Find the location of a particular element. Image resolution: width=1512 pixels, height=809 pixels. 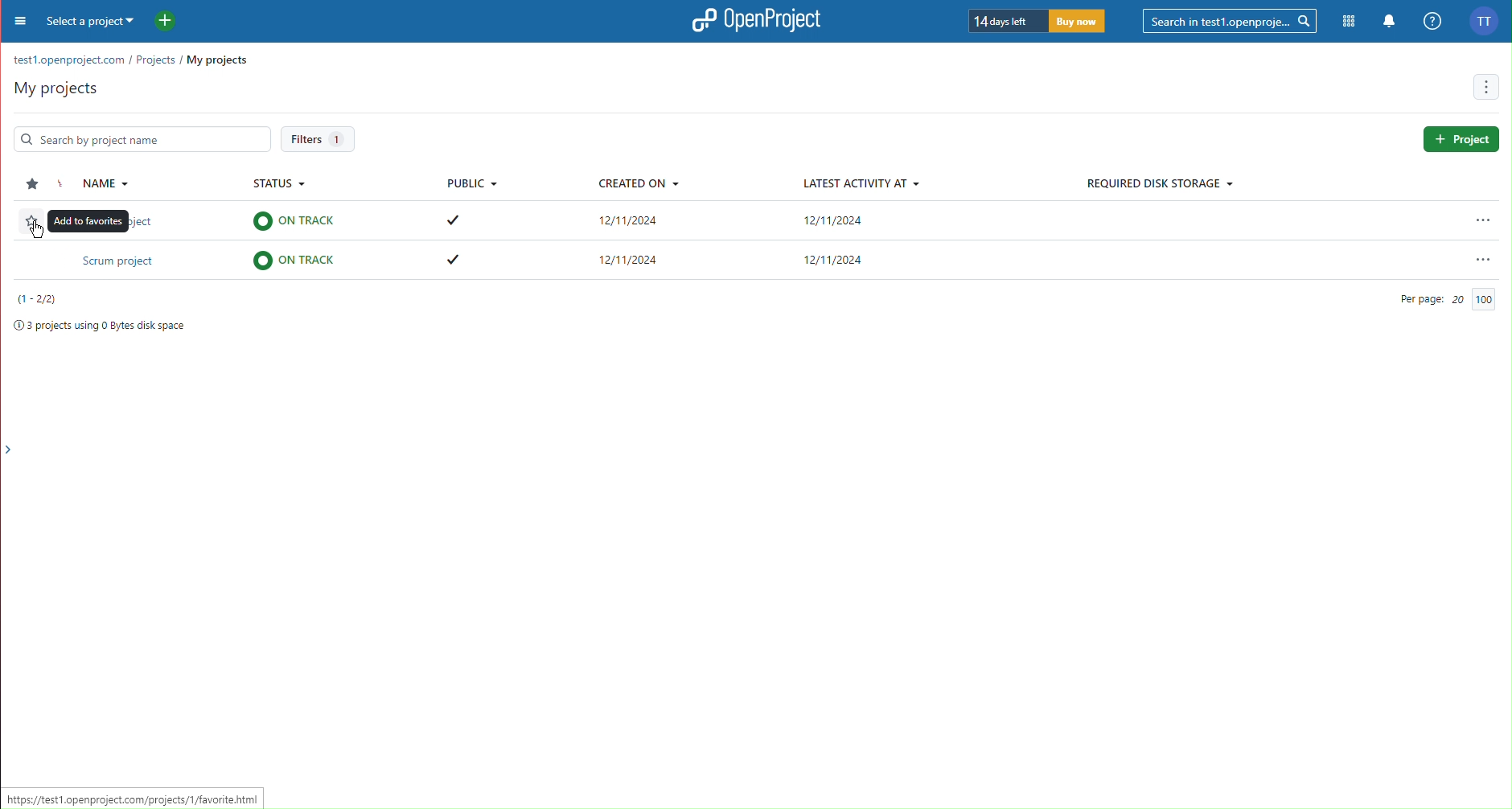

Help is located at coordinates (1429, 19).